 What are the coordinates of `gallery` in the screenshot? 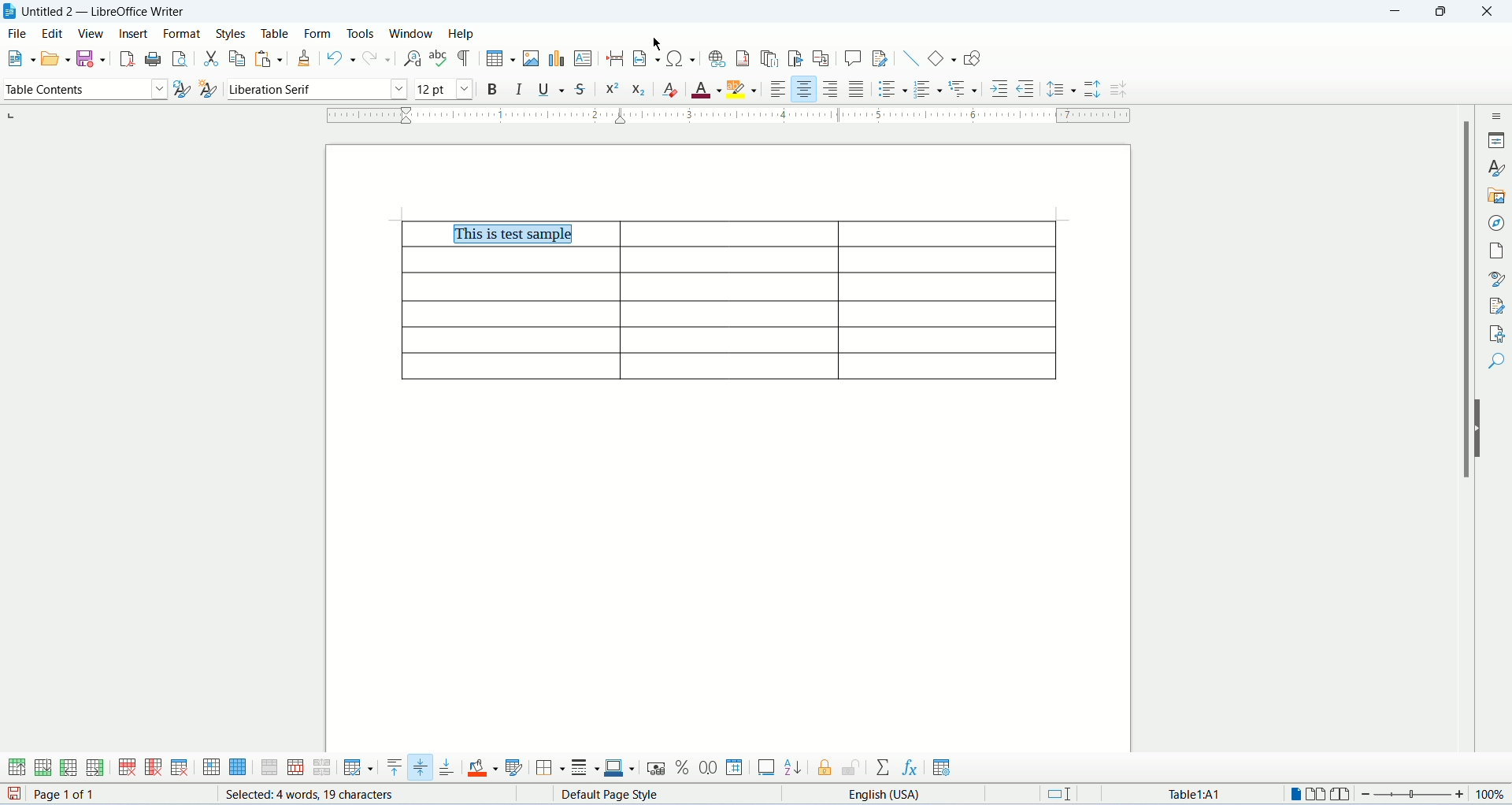 It's located at (1499, 194).